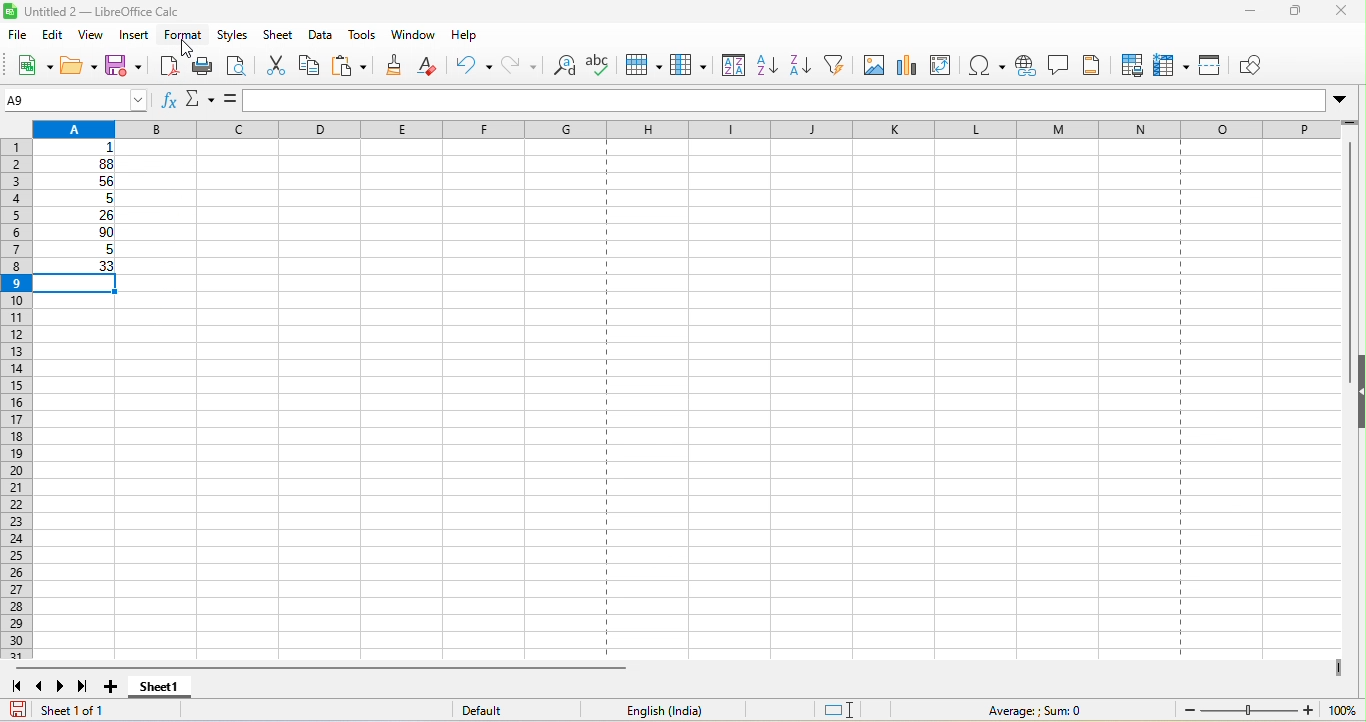 The width and height of the screenshot is (1366, 722). I want to click on scroll to first sheet, so click(16, 687).